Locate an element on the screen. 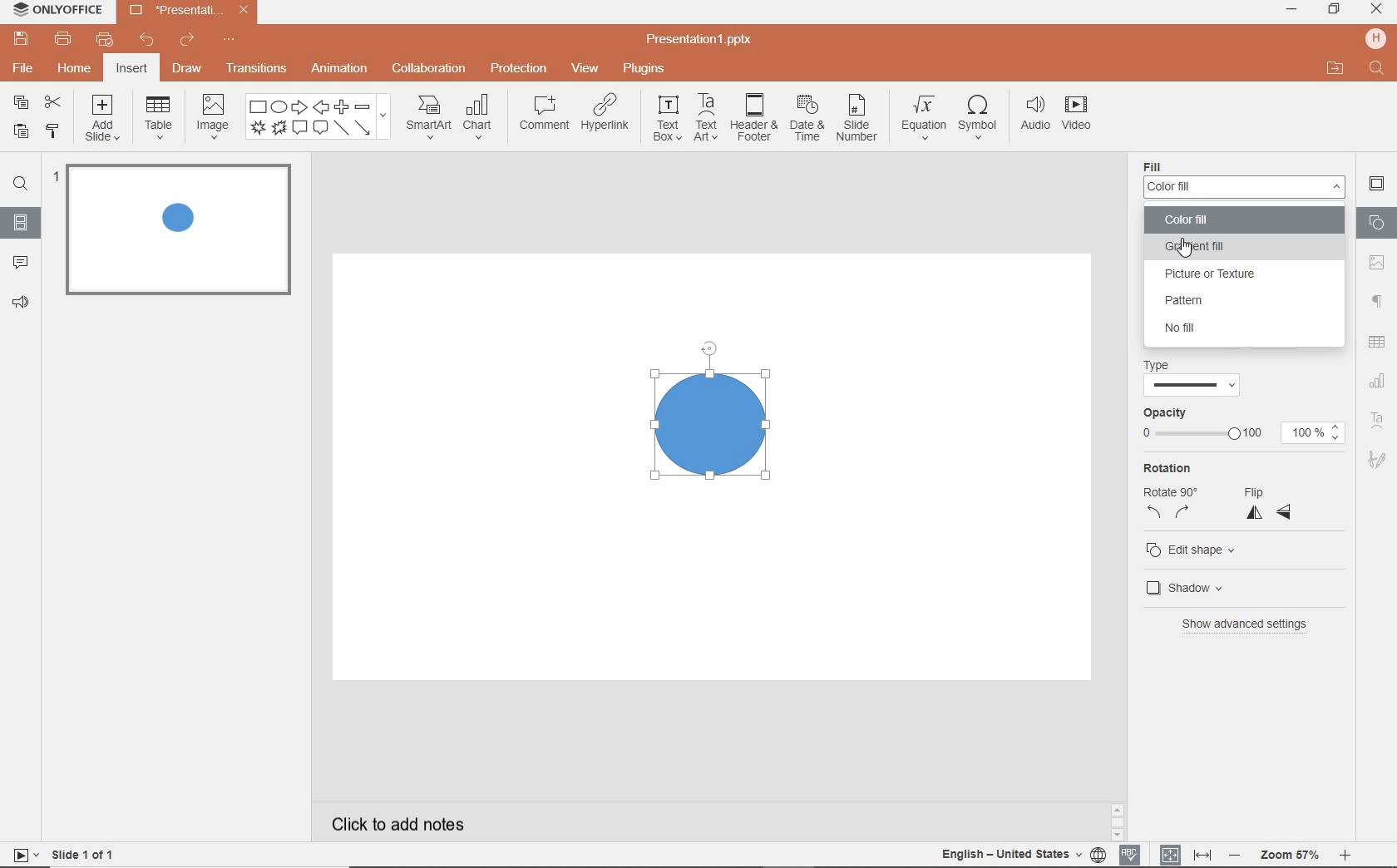 The height and width of the screenshot is (868, 1397). draw is located at coordinates (187, 72).